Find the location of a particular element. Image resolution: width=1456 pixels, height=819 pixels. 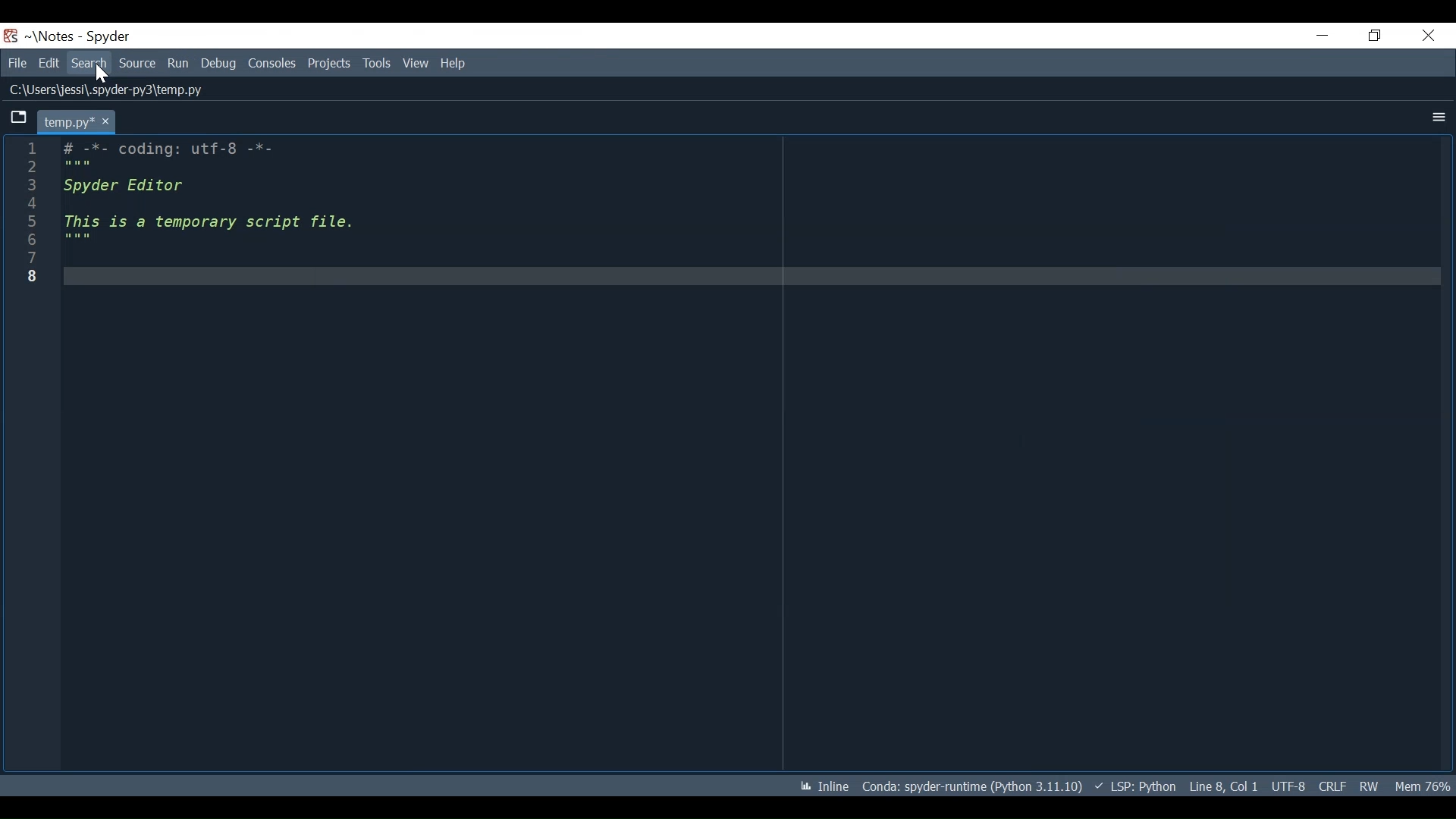

Browse tab is located at coordinates (15, 118).